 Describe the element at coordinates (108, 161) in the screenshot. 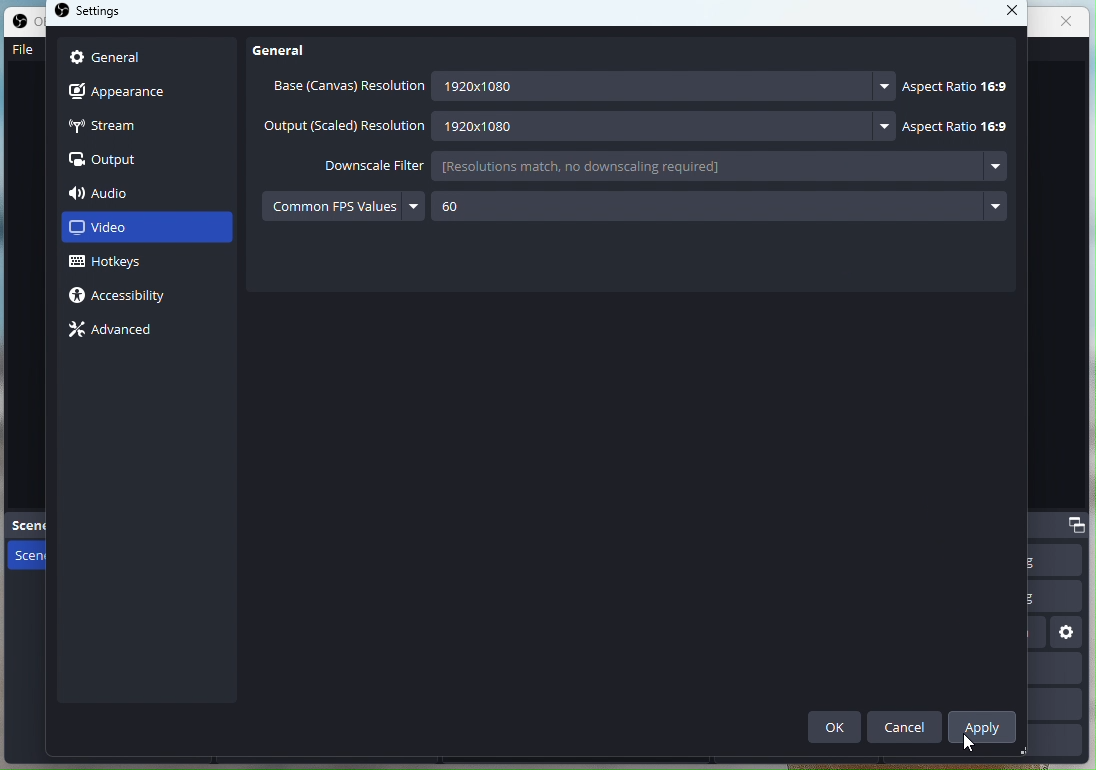

I see `output` at that location.